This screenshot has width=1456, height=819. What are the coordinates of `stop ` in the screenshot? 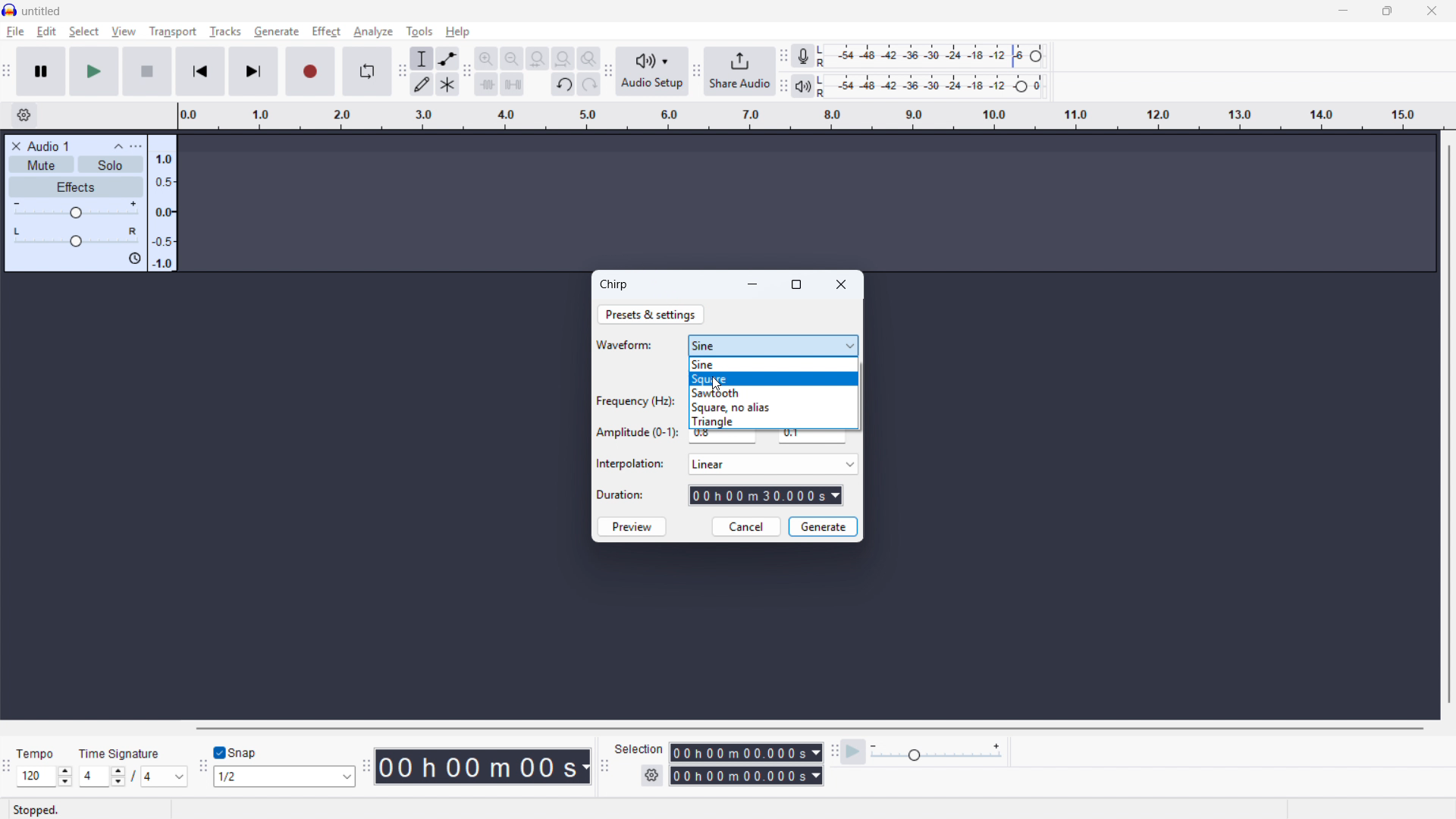 It's located at (147, 71).